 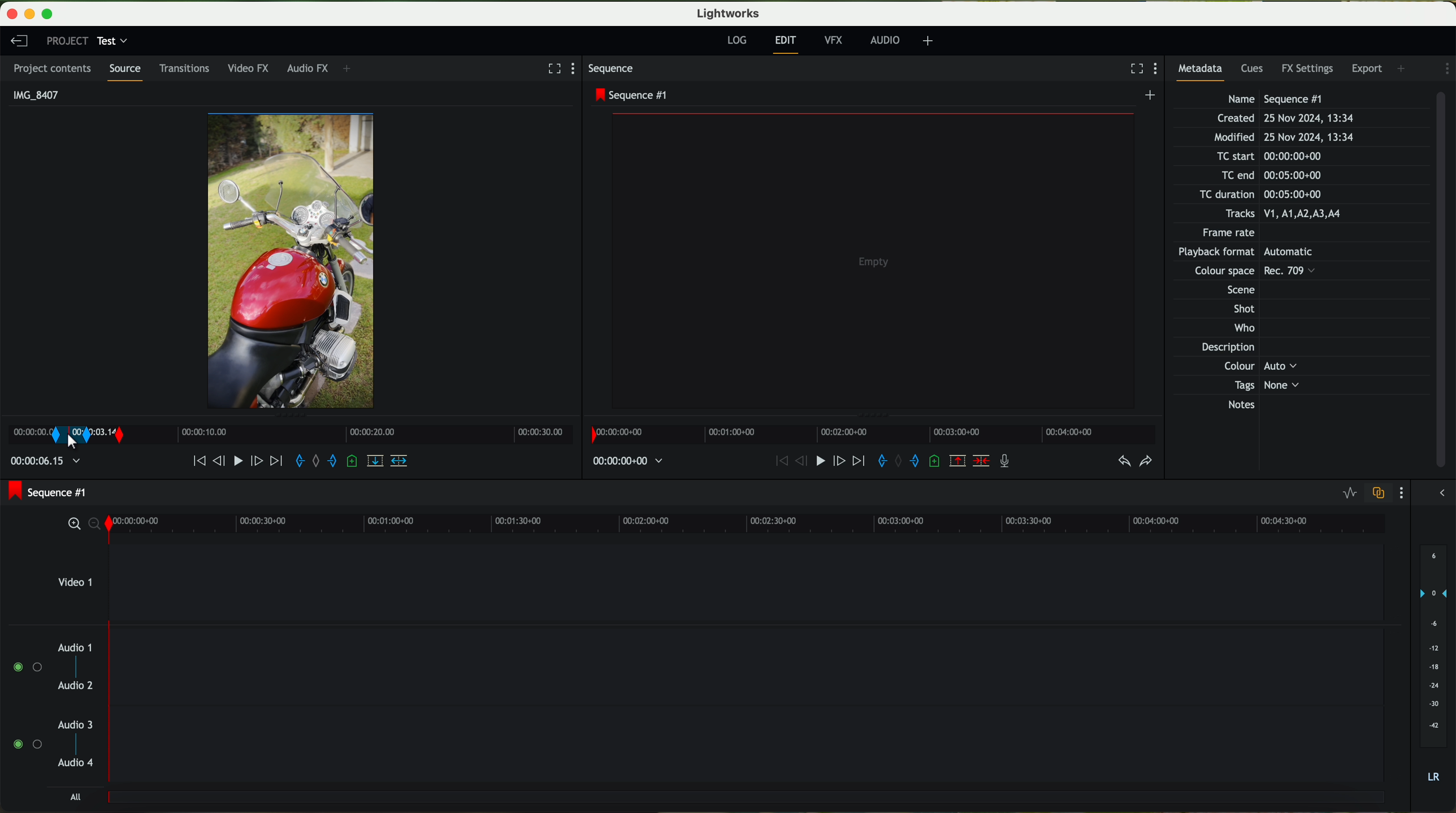 What do you see at coordinates (259, 462) in the screenshot?
I see `nudge one frame forward` at bounding box center [259, 462].